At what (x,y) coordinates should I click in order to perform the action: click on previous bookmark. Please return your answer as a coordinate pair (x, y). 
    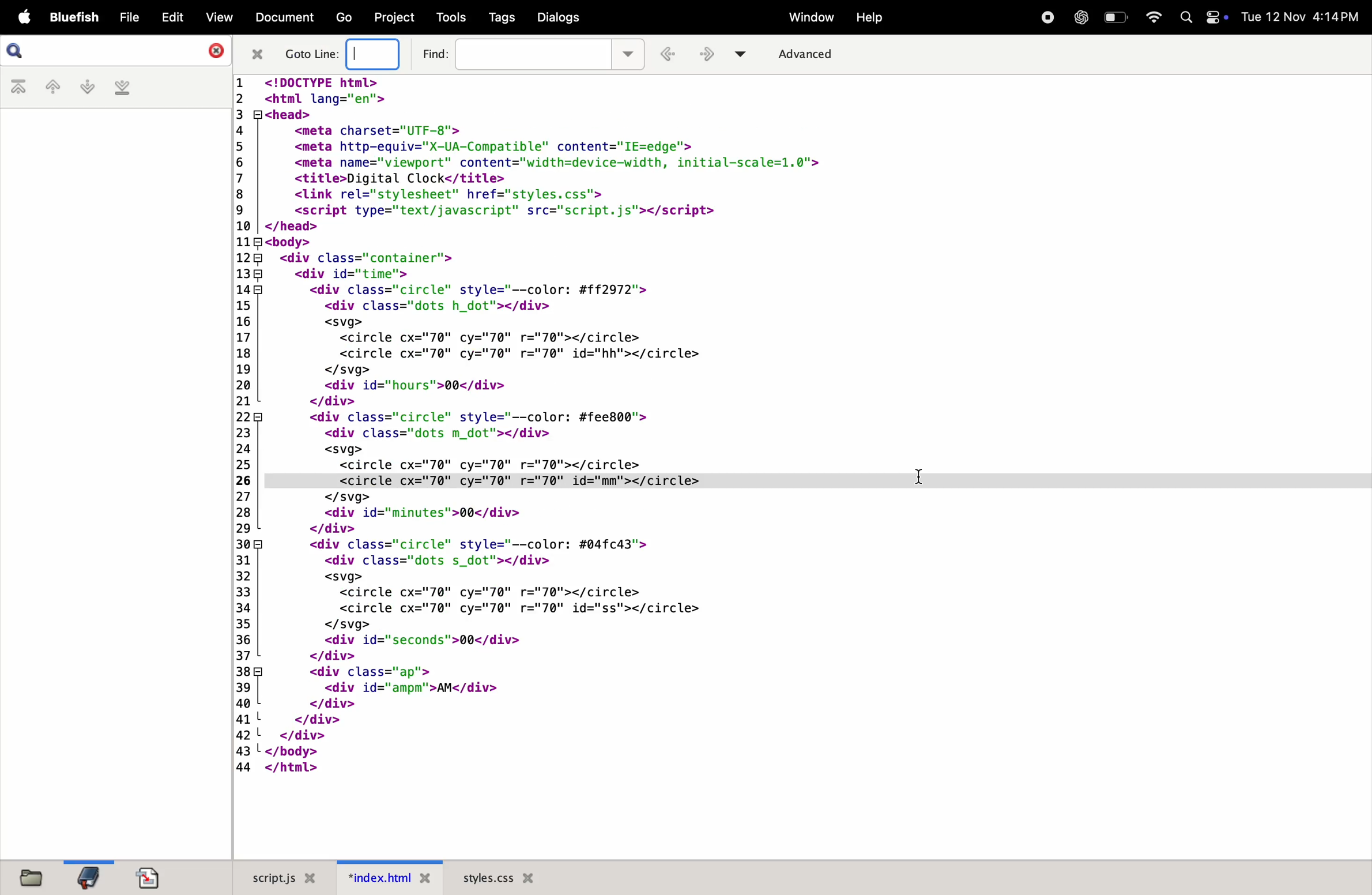
    Looking at the image, I should click on (50, 88).